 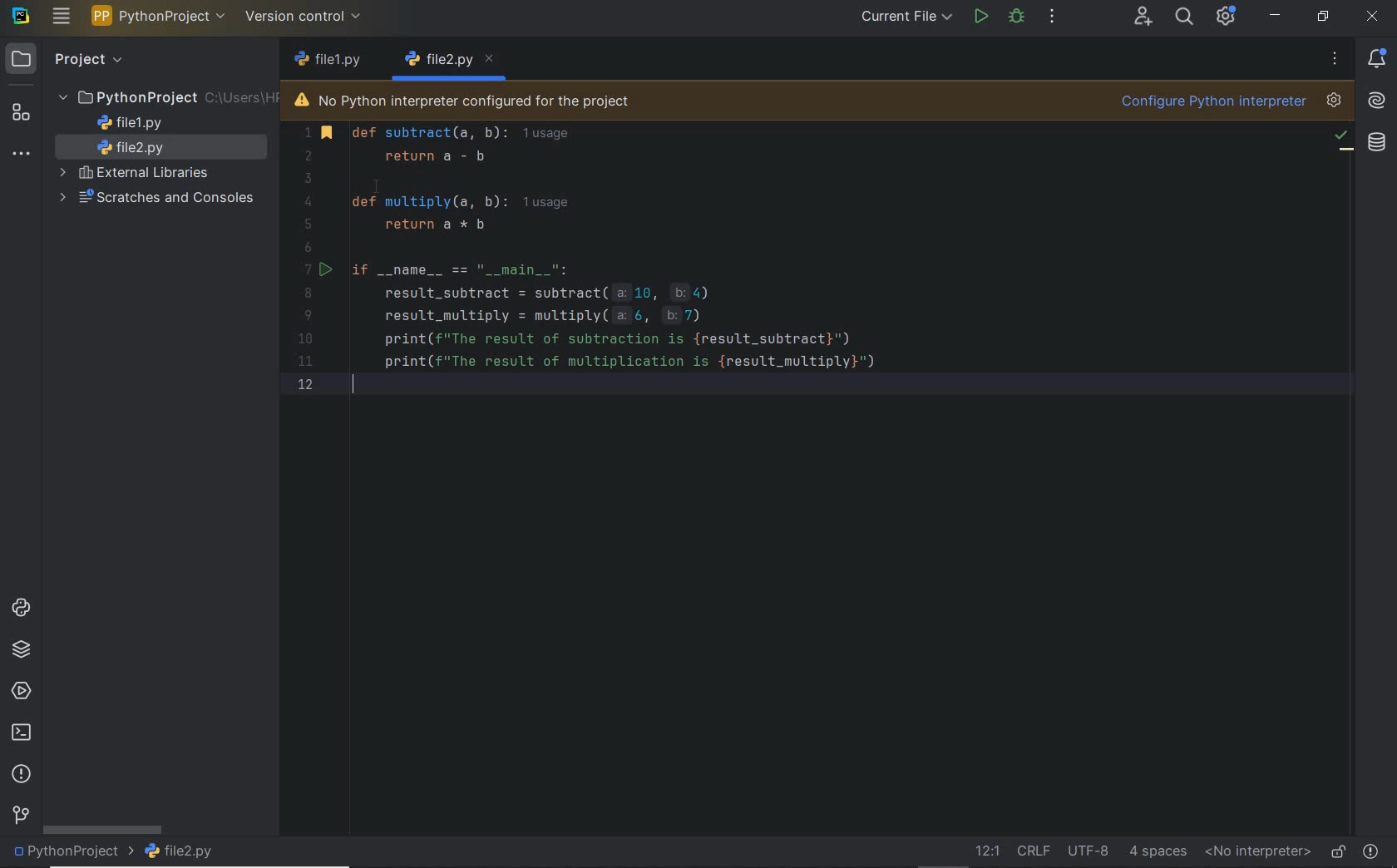 I want to click on notifications, so click(x=1380, y=58).